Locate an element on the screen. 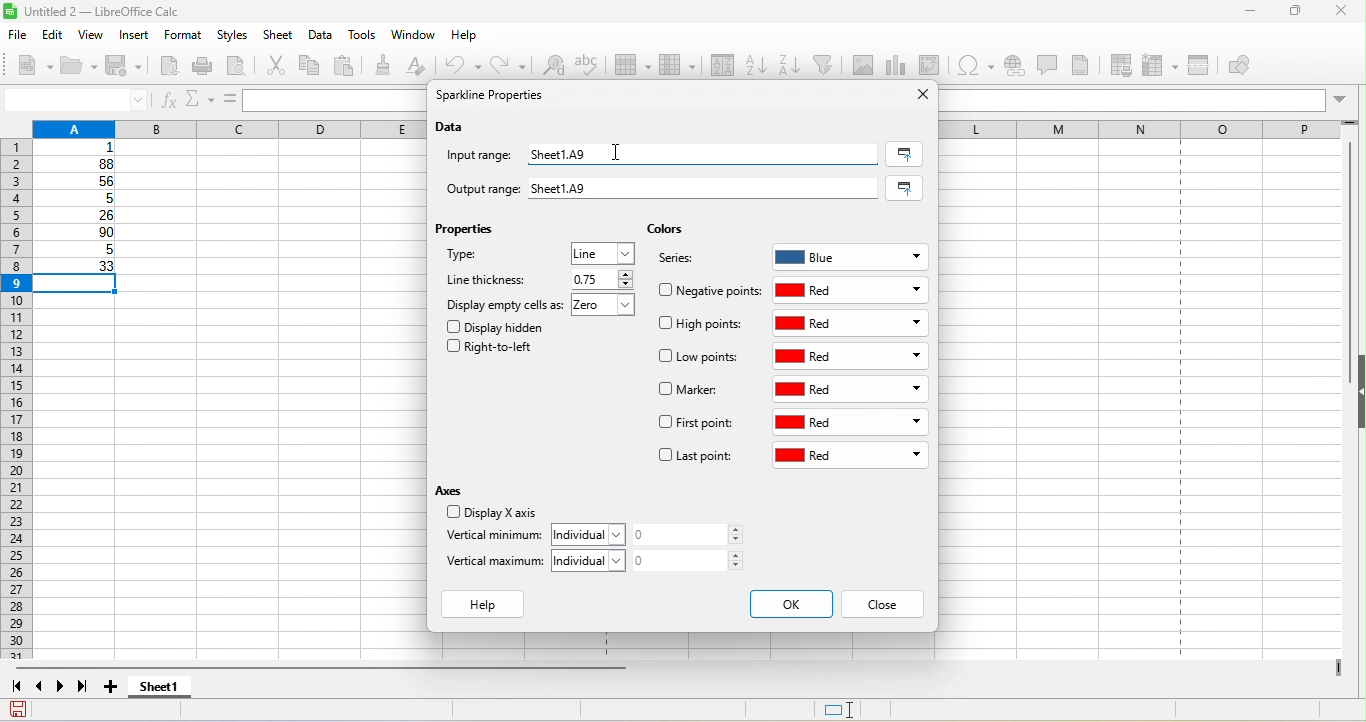  special character is located at coordinates (979, 65).